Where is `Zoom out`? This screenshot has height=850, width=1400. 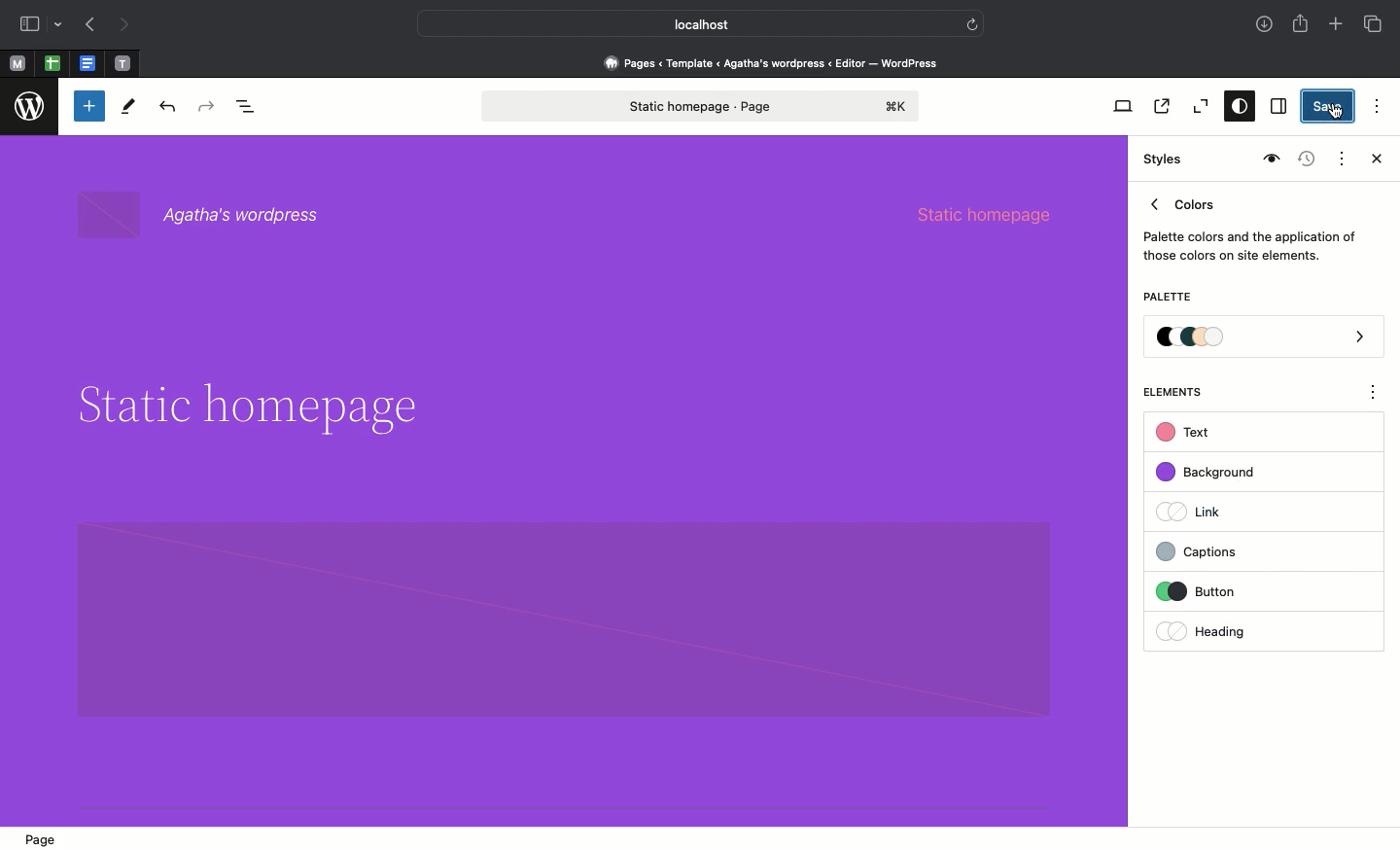 Zoom out is located at coordinates (1198, 107).